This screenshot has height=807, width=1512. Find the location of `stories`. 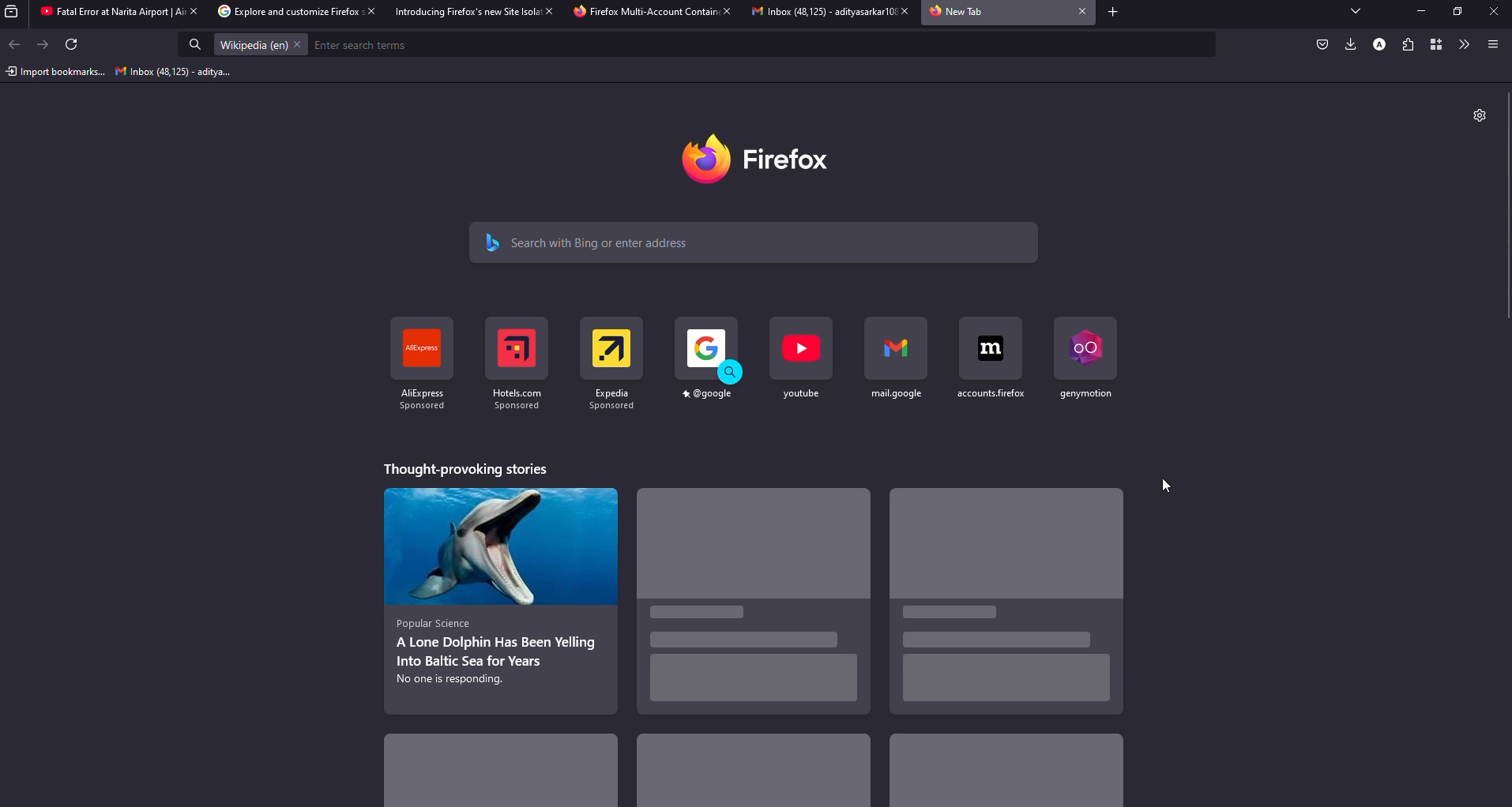

stories is located at coordinates (502, 597).